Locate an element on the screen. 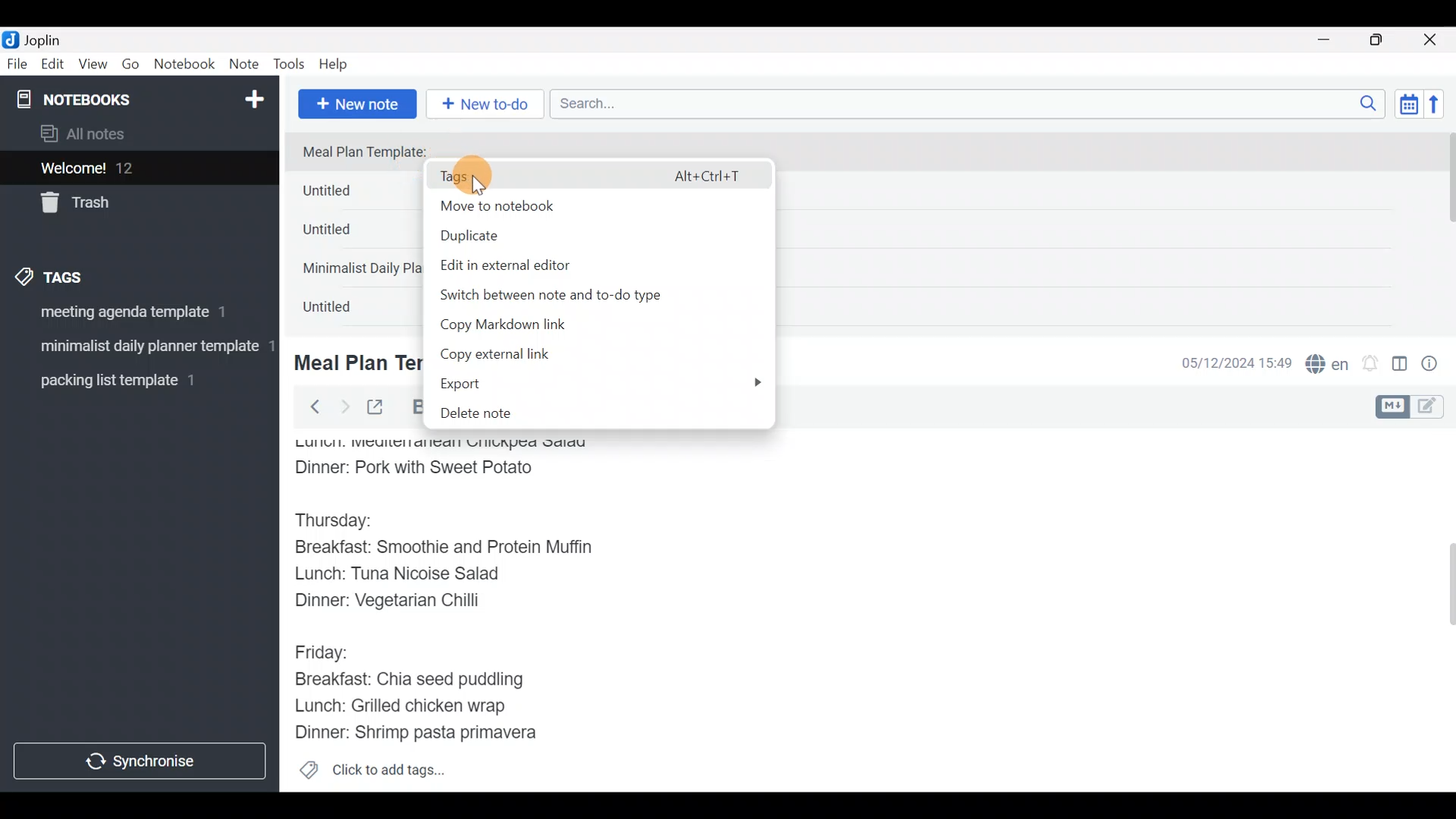 This screenshot has width=1456, height=819. Toggle sort order is located at coordinates (1408, 105).